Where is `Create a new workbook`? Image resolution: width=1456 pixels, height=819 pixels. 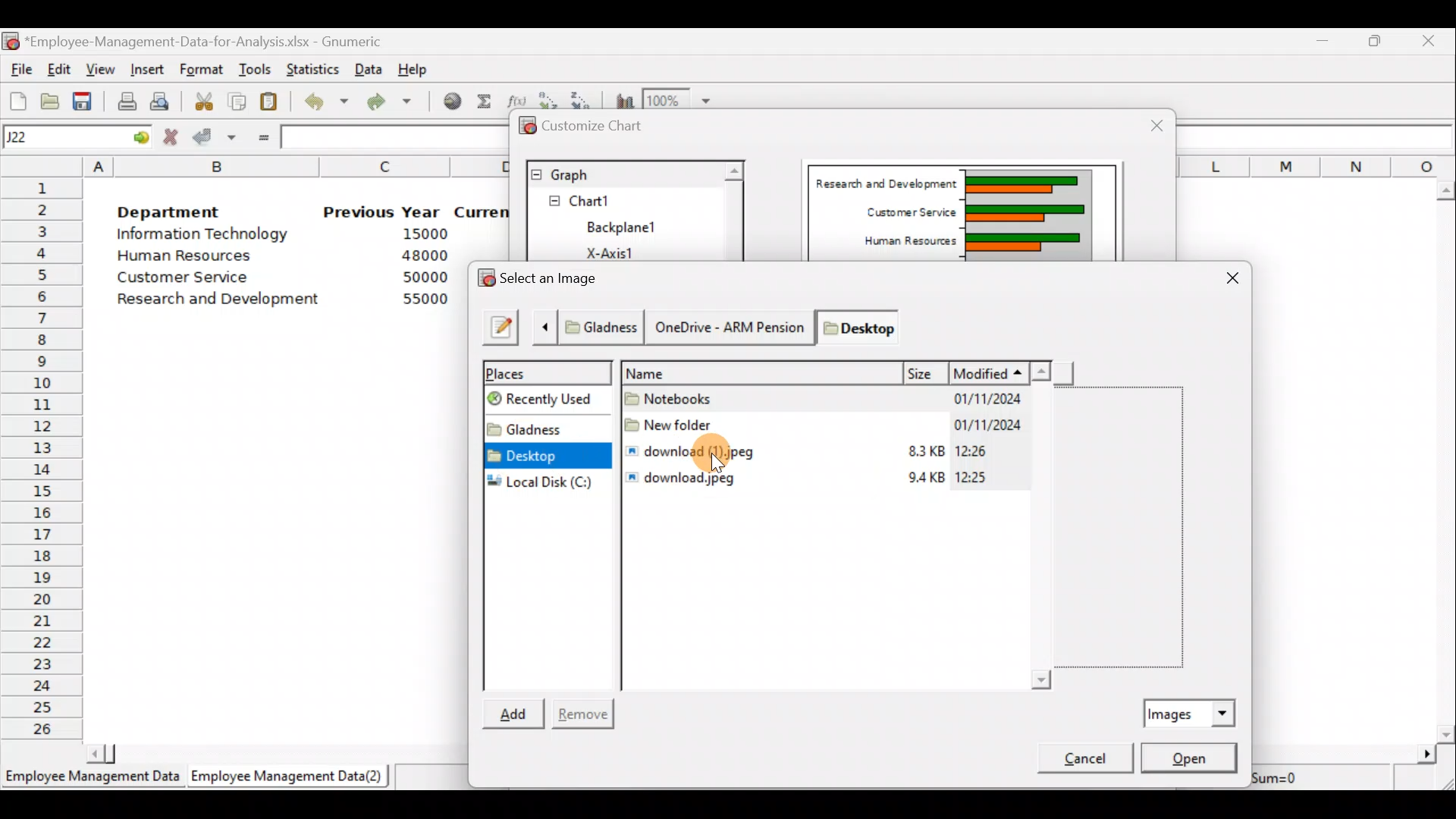 Create a new workbook is located at coordinates (17, 99).